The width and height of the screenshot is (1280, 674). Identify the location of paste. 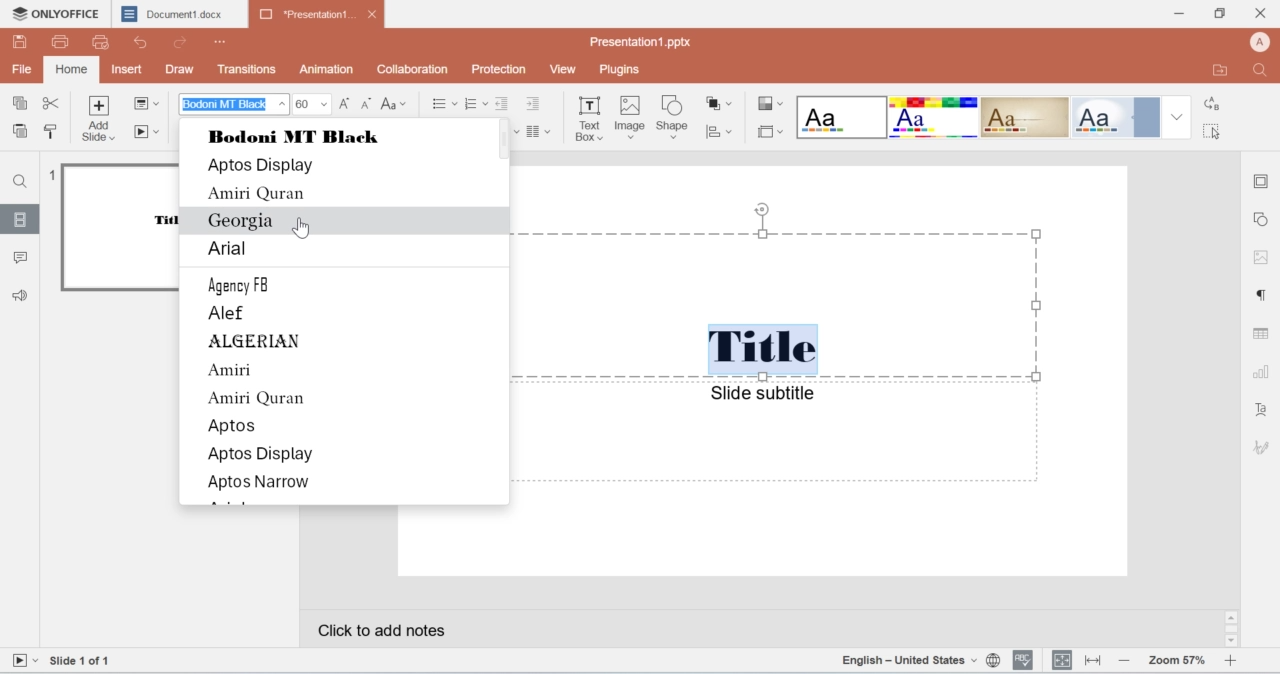
(21, 132).